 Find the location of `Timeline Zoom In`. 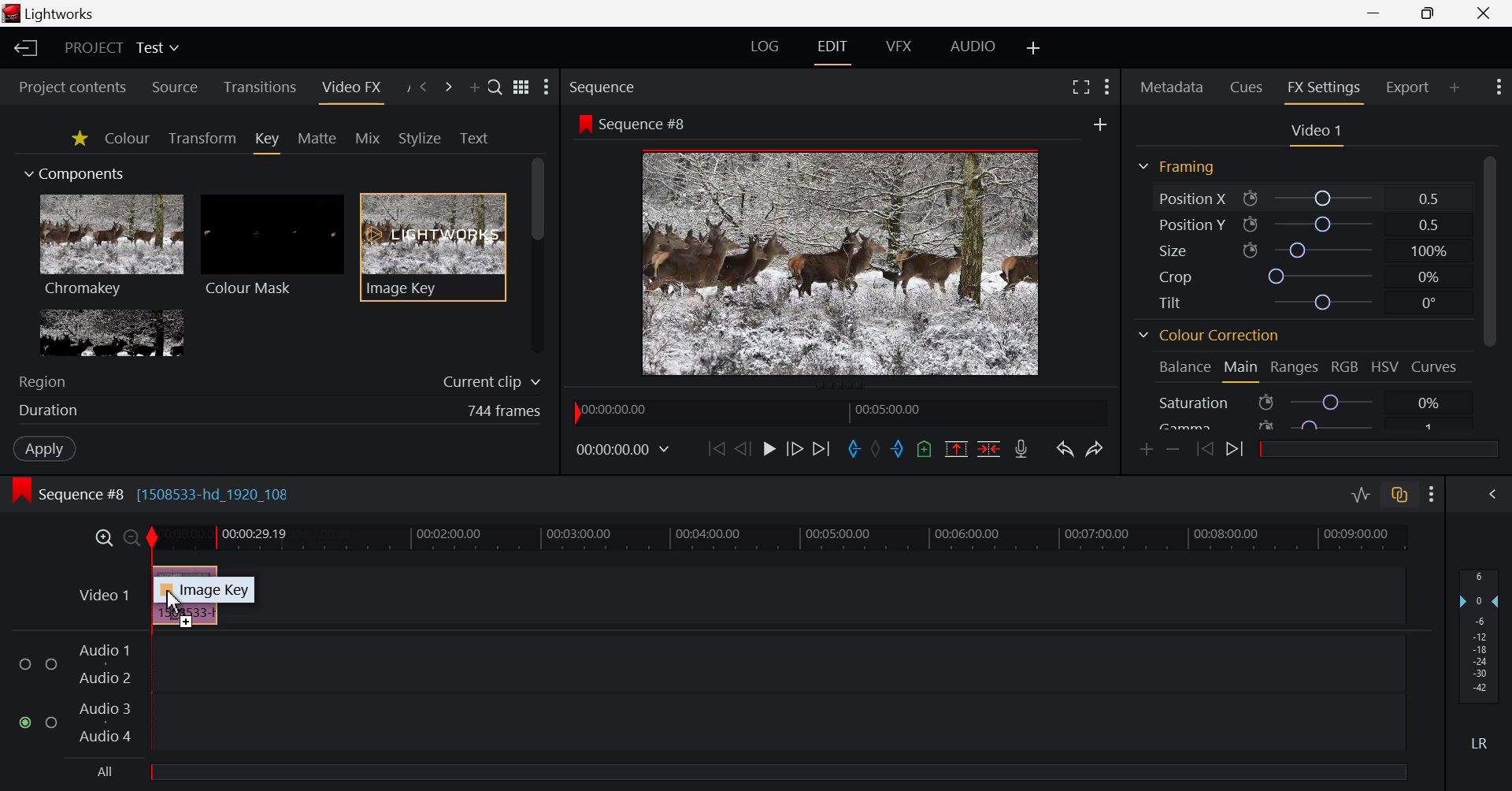

Timeline Zoom In is located at coordinates (102, 535).